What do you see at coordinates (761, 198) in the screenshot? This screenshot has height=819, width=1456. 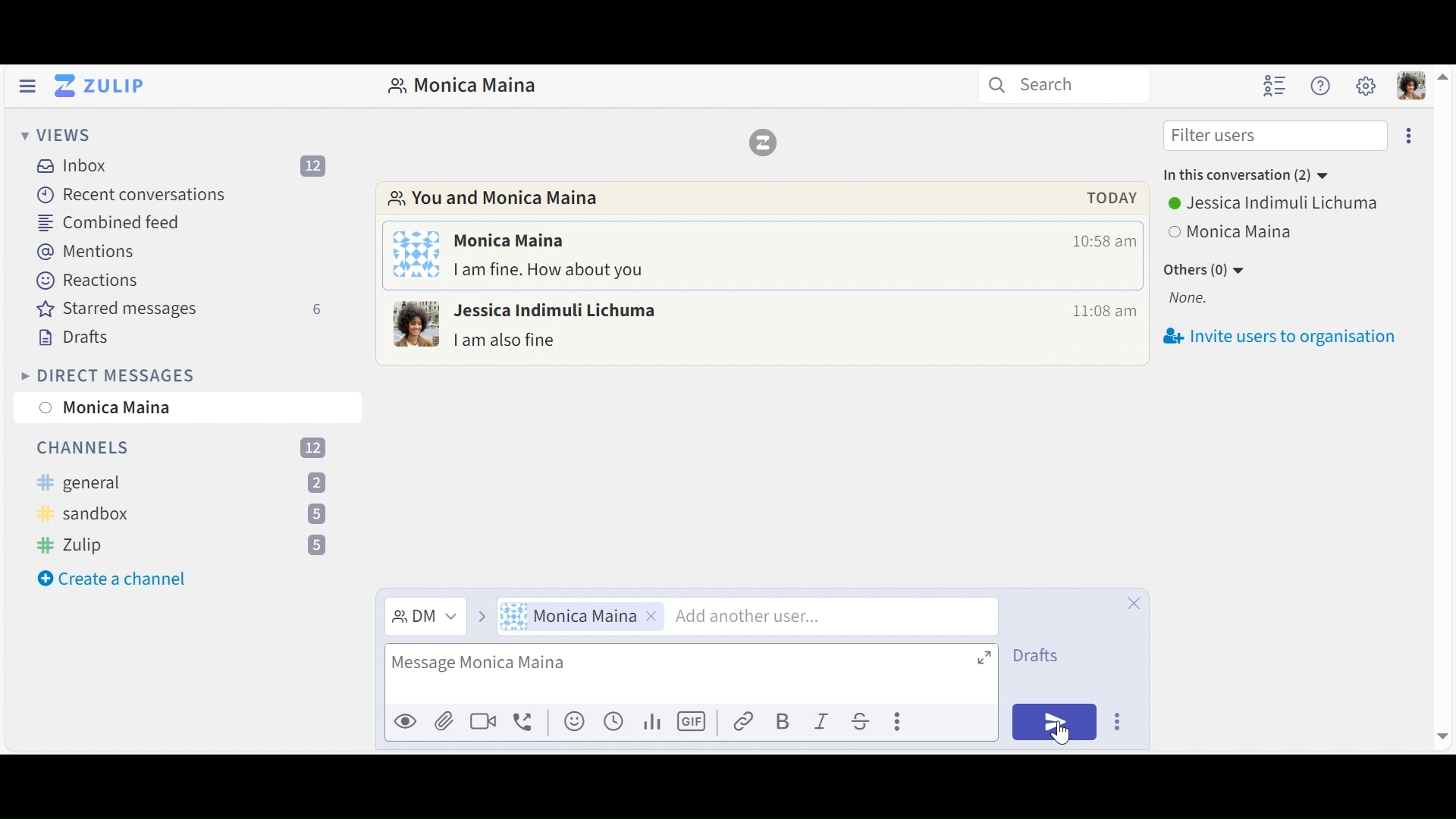 I see `descriptions` at bounding box center [761, 198].